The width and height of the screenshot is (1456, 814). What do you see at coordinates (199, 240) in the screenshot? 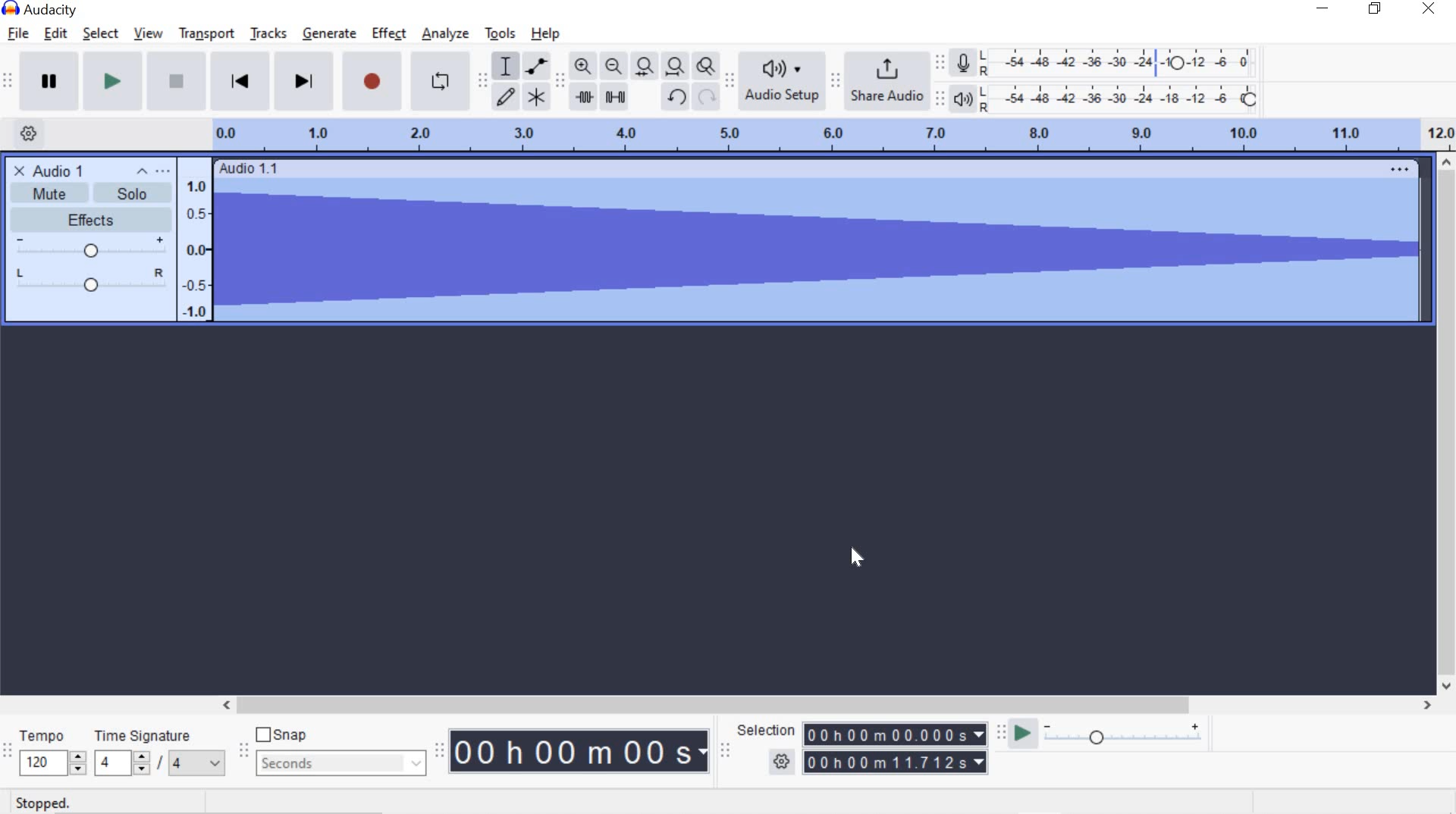
I see `menu` at bounding box center [199, 240].